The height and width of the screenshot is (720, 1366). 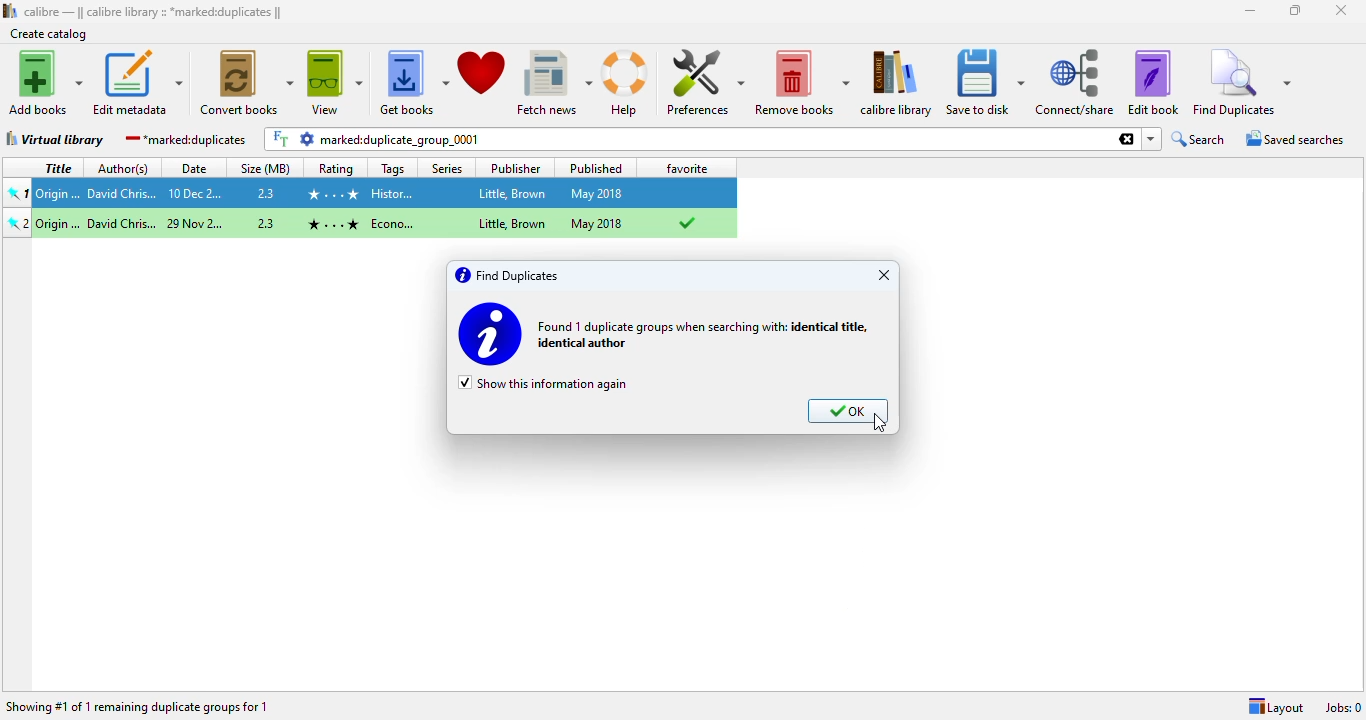 I want to click on edit book, so click(x=1154, y=83).